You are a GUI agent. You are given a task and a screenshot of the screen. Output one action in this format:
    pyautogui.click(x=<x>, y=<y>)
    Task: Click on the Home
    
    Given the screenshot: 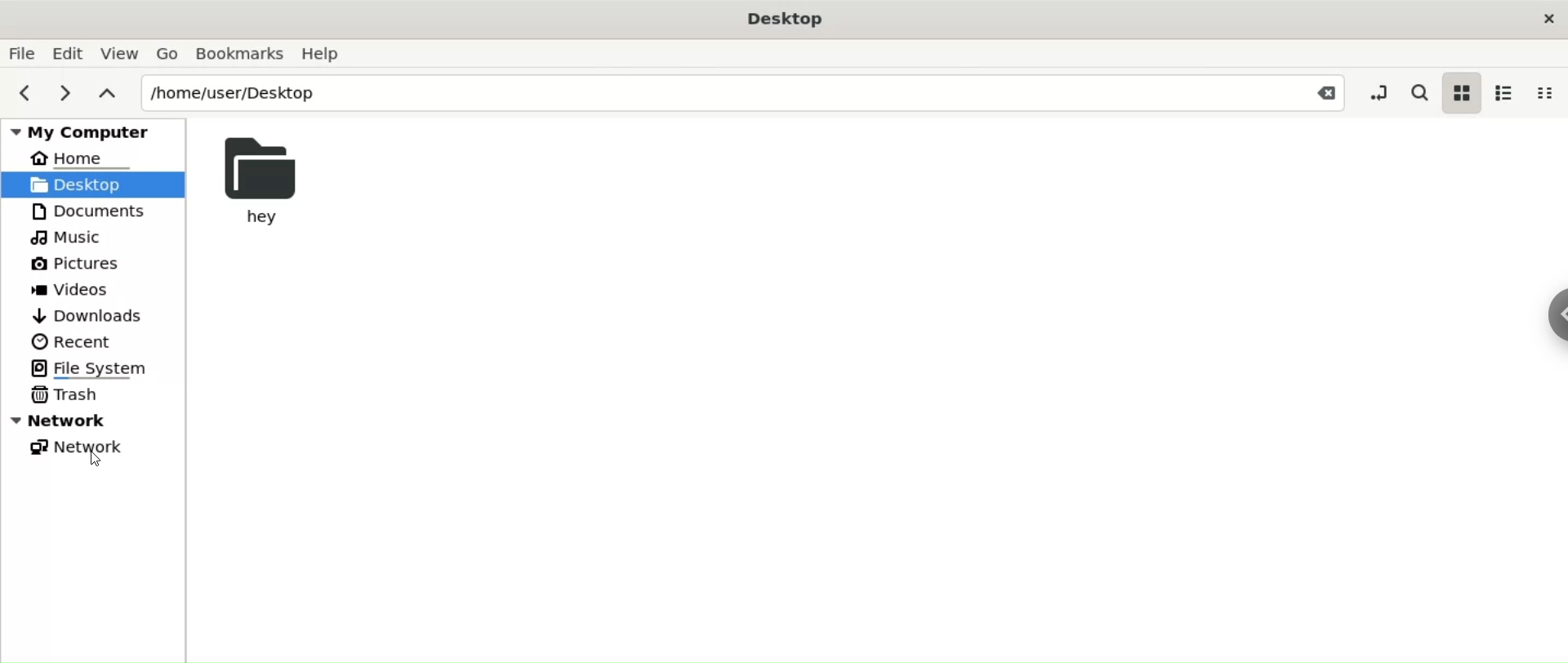 What is the action you would take?
    pyautogui.click(x=105, y=158)
    